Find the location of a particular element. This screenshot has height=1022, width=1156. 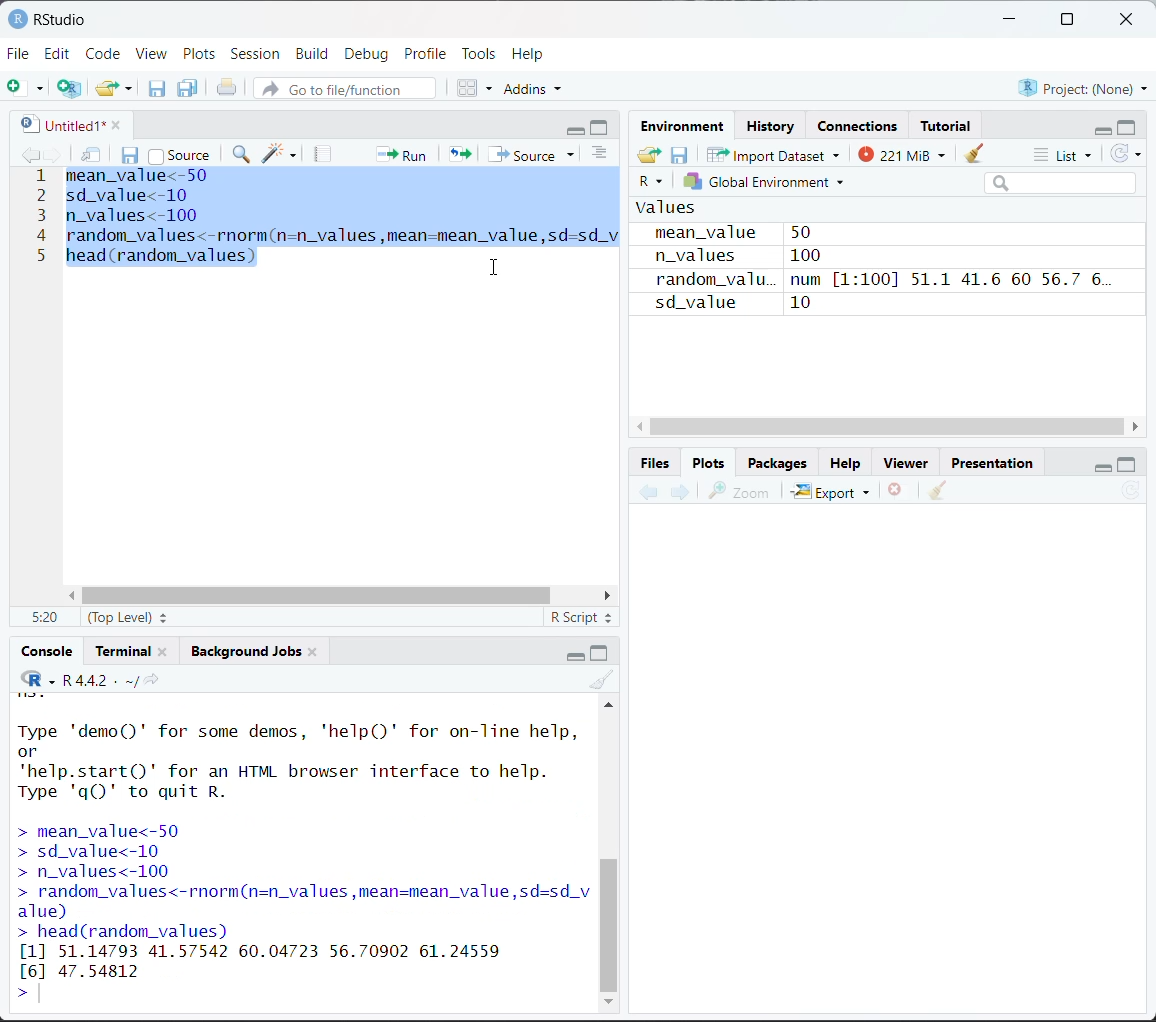

vertical scroll bar is located at coordinates (882, 429).